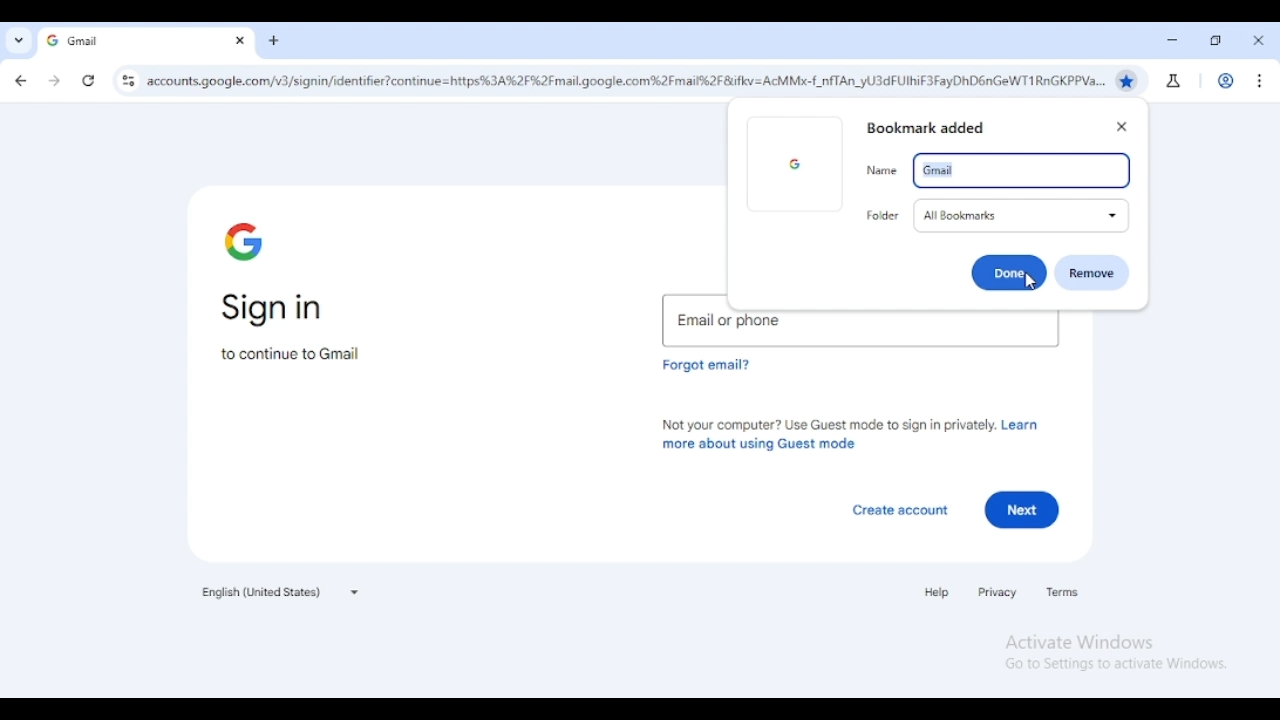 Image resolution: width=1280 pixels, height=720 pixels. Describe the element at coordinates (883, 172) in the screenshot. I see `name` at that location.